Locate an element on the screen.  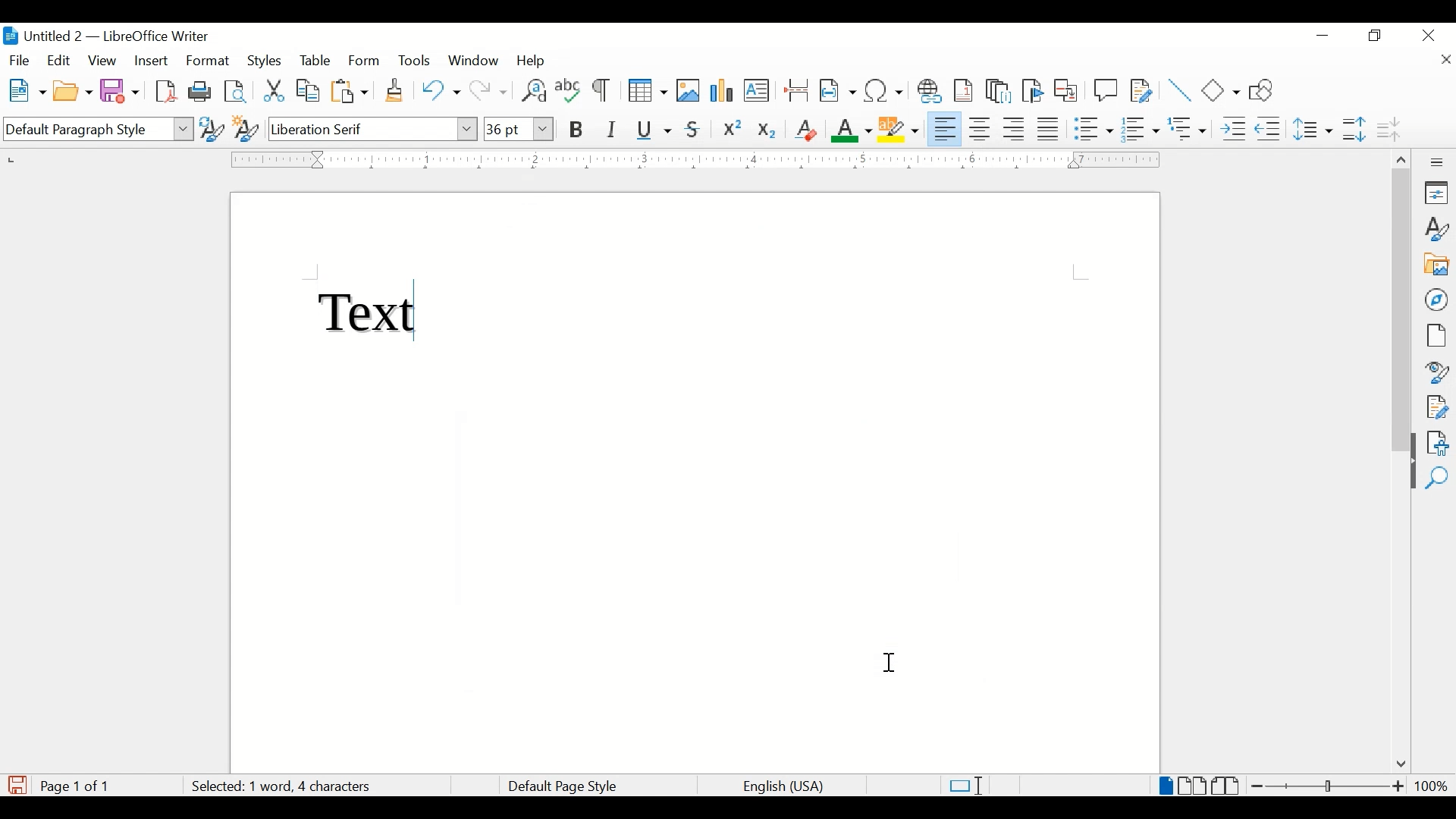
align right is located at coordinates (1015, 129).